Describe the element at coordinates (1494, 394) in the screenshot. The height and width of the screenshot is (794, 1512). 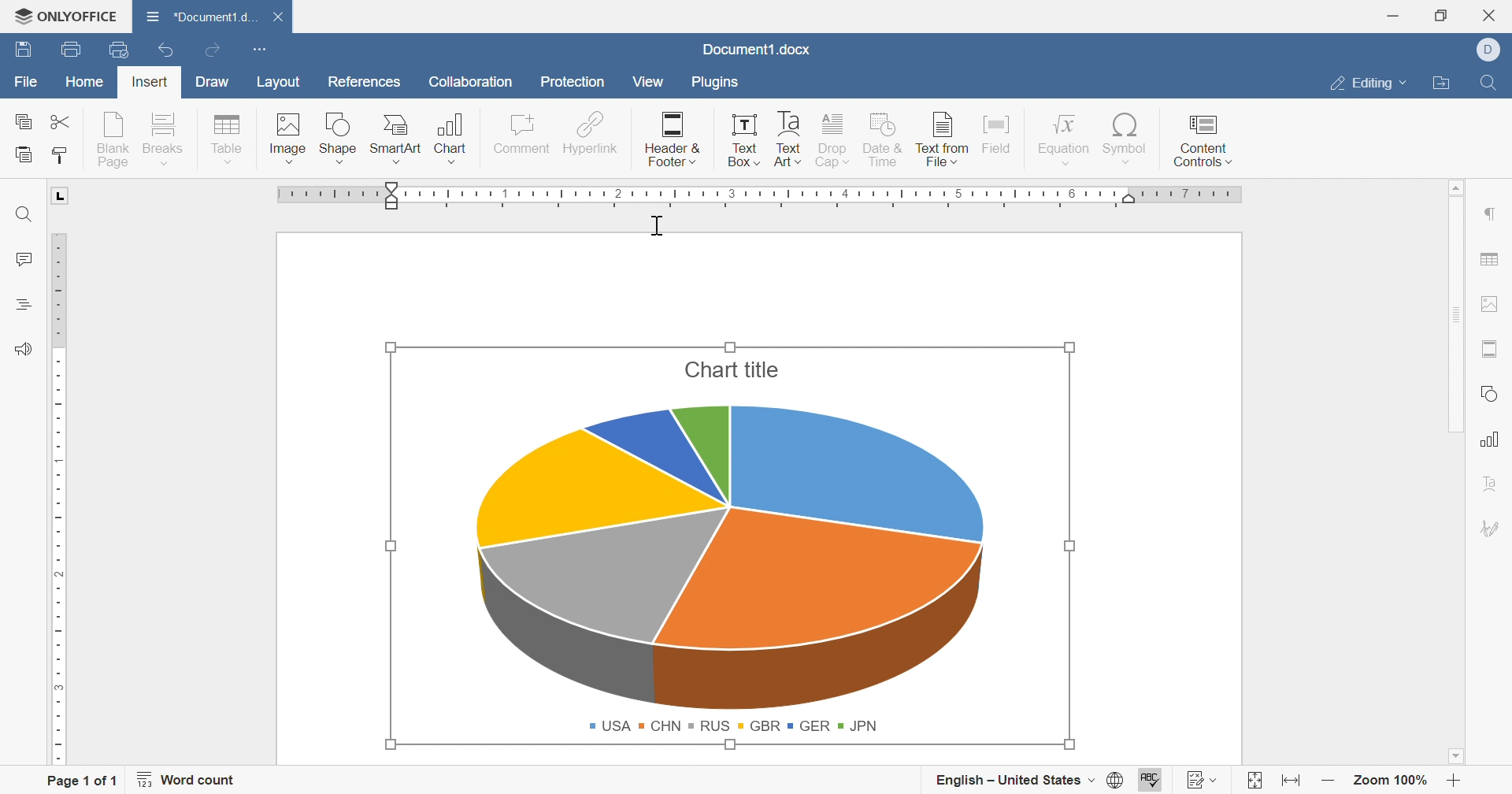
I see `Shape settings` at that location.